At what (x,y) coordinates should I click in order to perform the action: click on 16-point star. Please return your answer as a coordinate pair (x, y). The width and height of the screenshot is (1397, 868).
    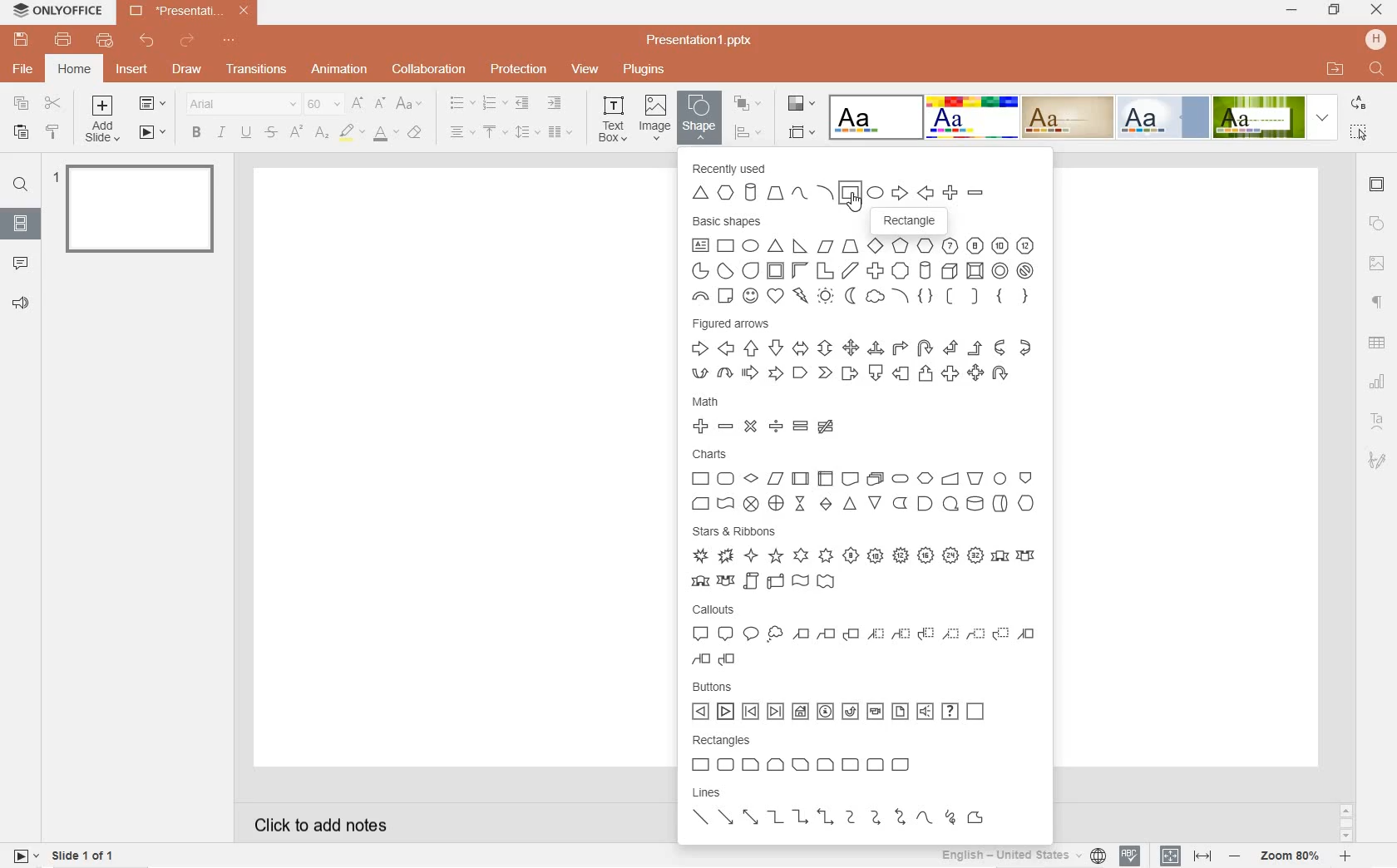
    Looking at the image, I should click on (926, 555).